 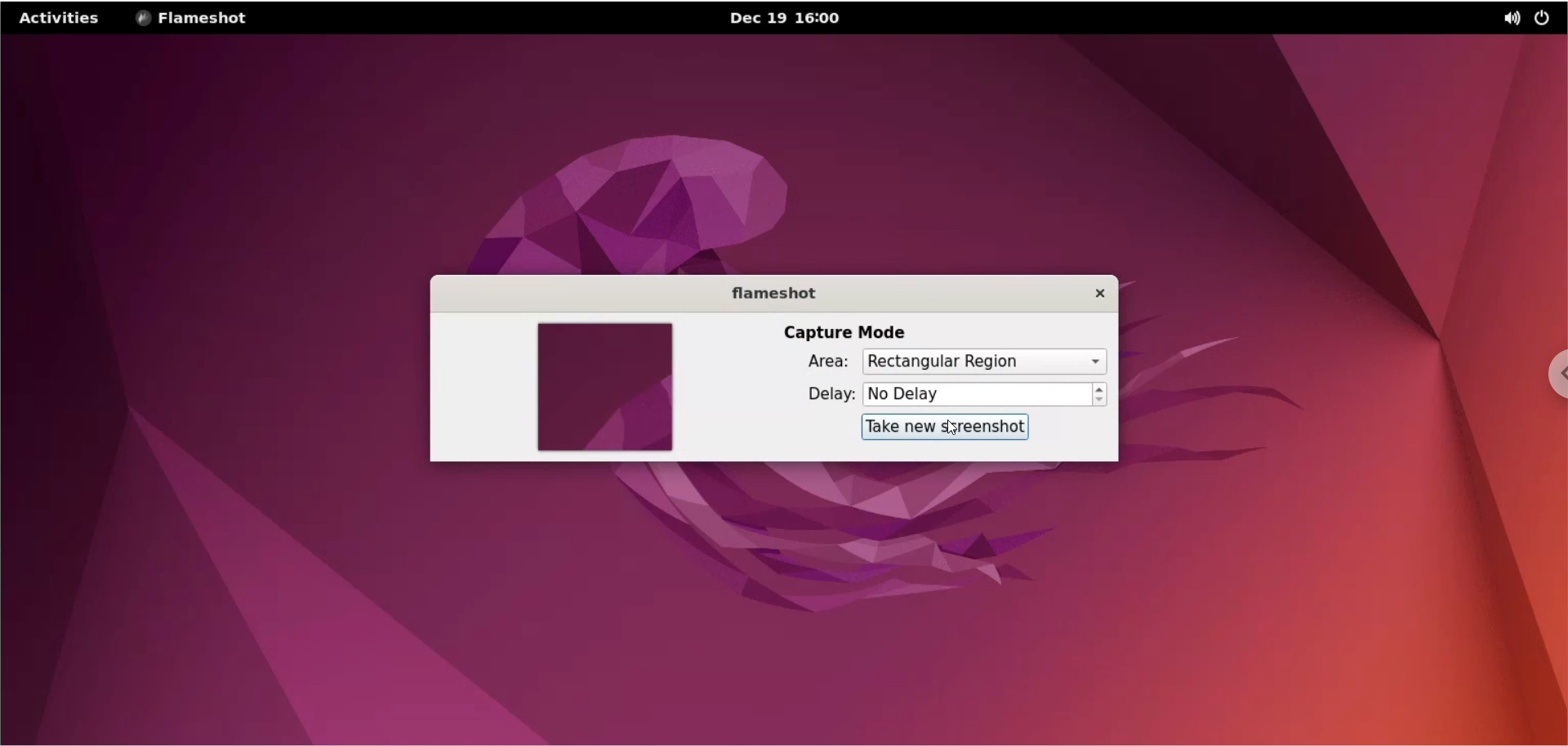 I want to click on activities, so click(x=59, y=18).